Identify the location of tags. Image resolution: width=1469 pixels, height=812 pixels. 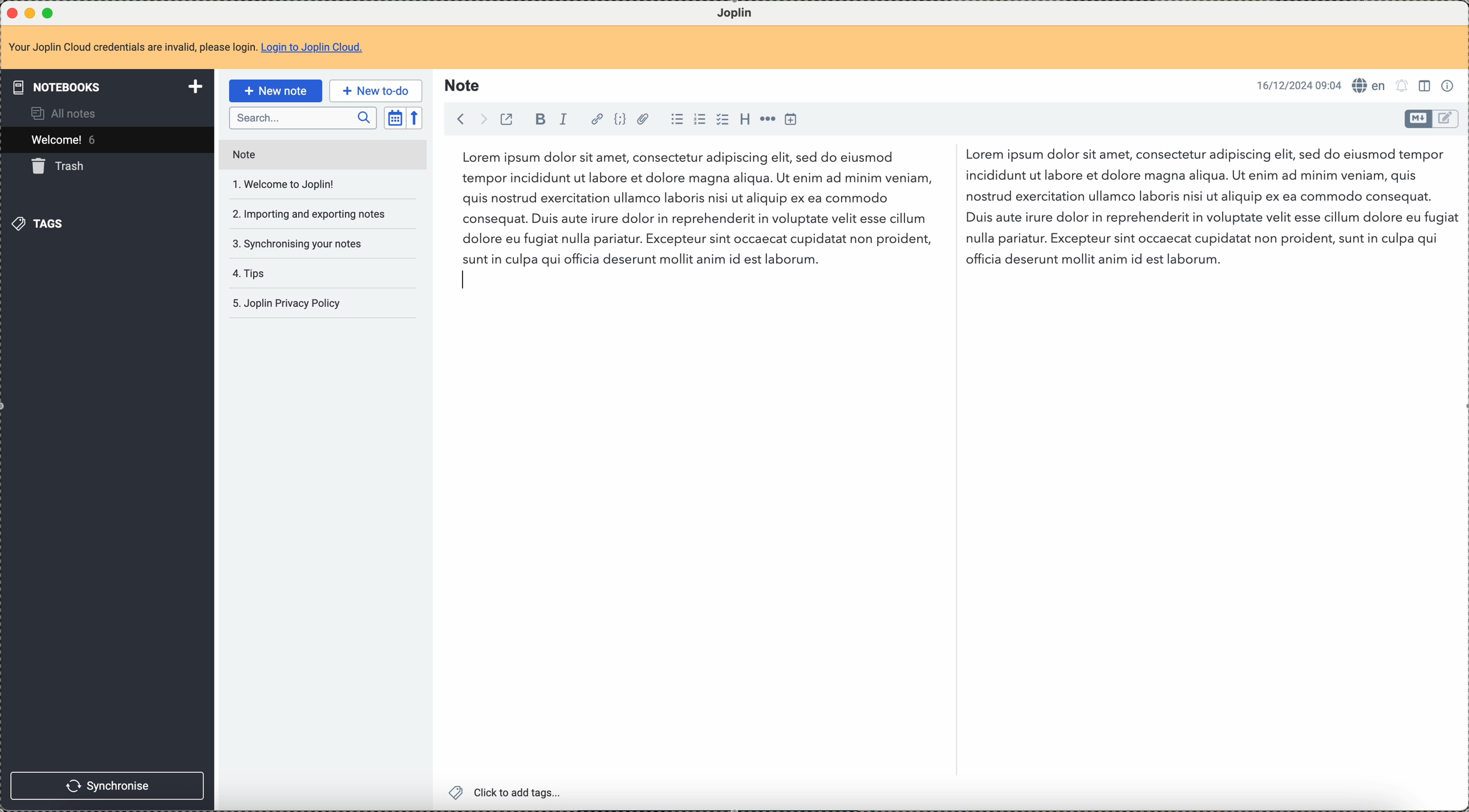
(40, 224).